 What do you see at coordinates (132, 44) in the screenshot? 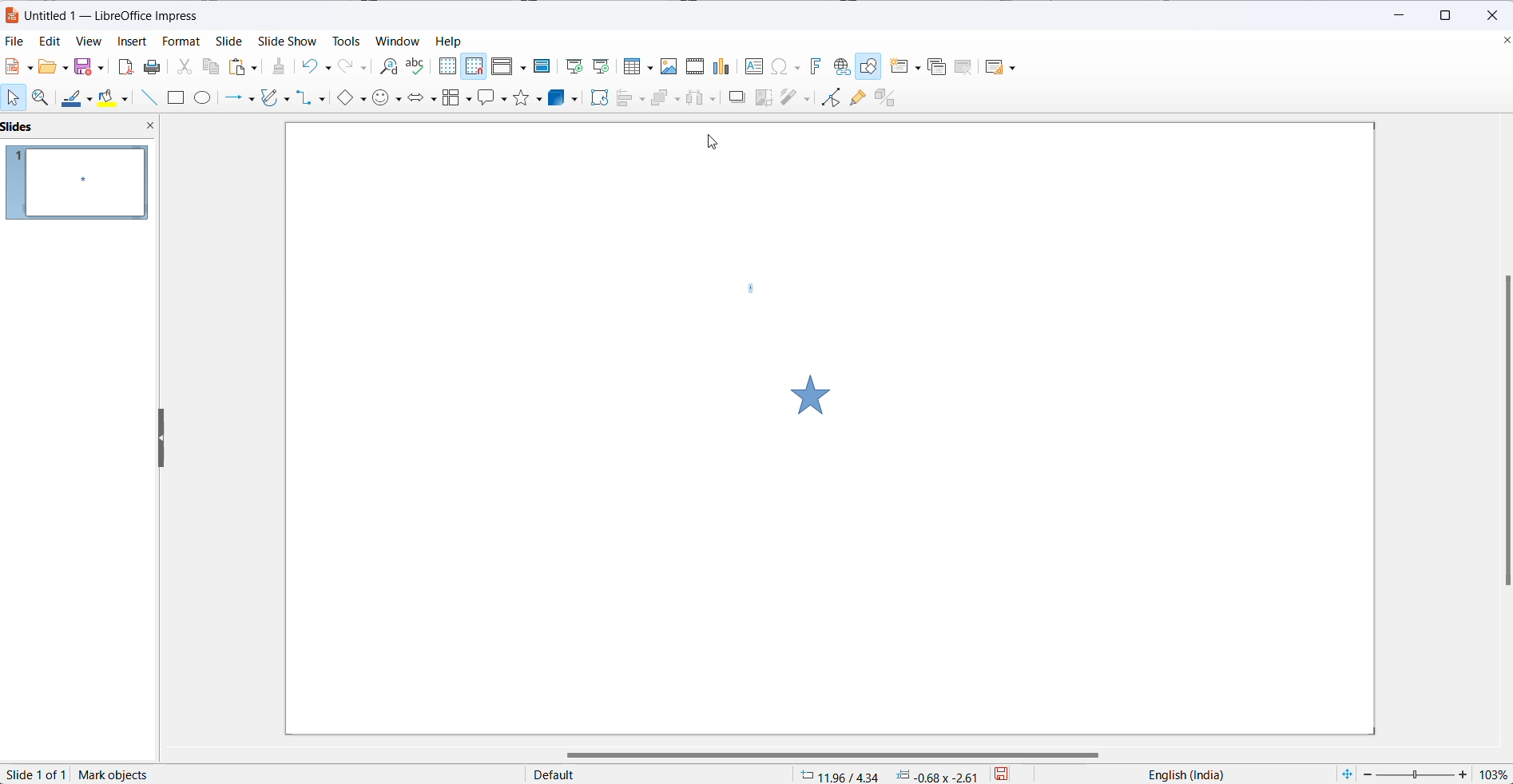
I see `insert ` at bounding box center [132, 44].